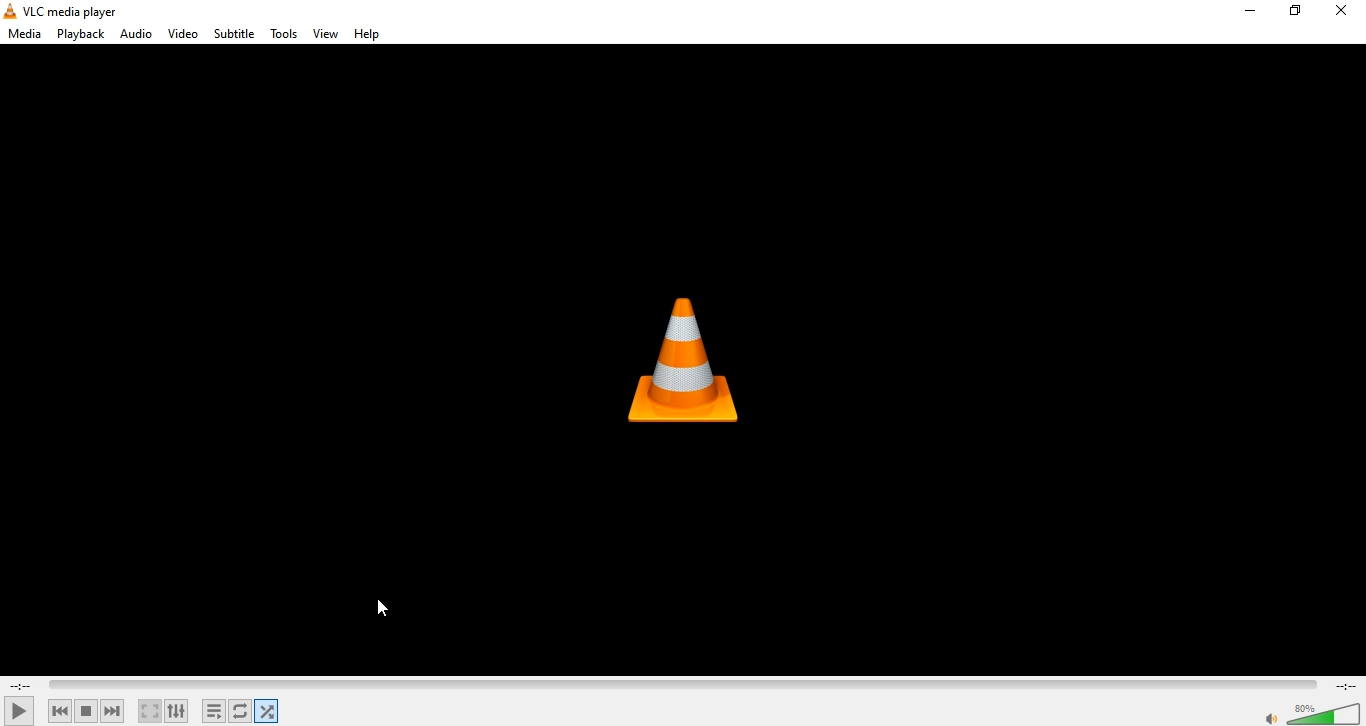 Image resolution: width=1366 pixels, height=726 pixels. I want to click on random, so click(274, 710).